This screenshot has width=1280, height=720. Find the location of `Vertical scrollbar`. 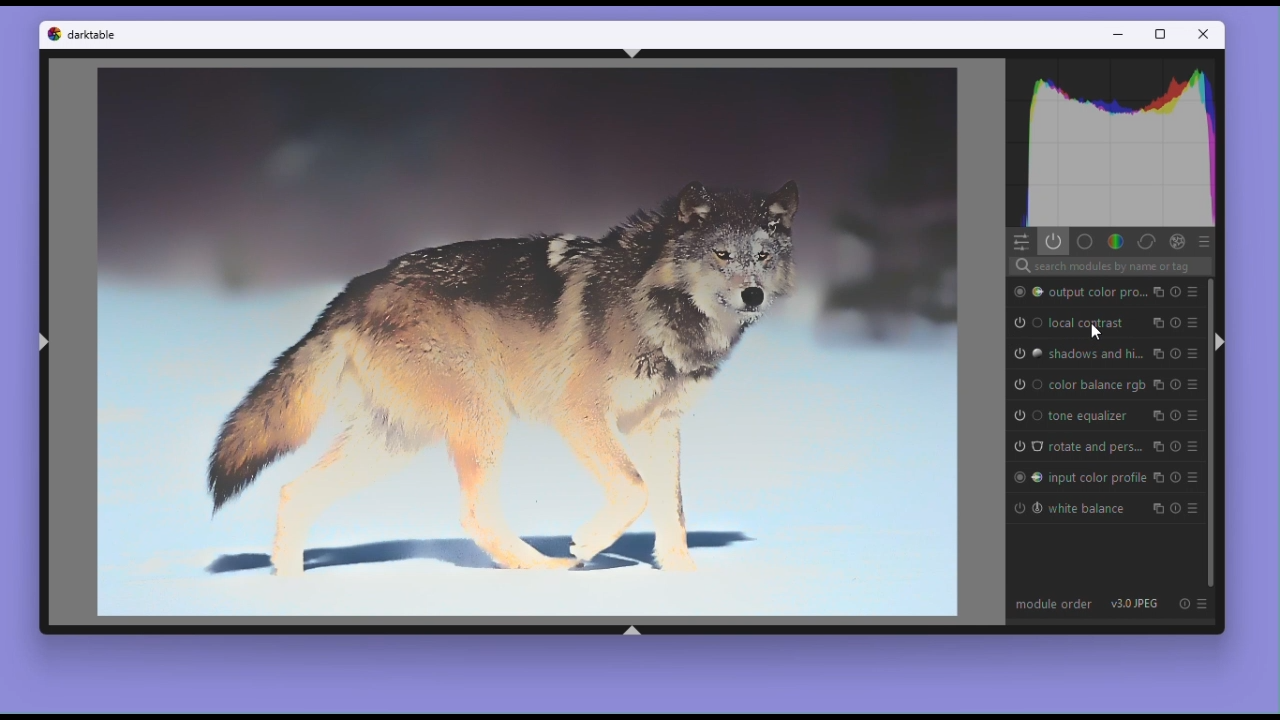

Vertical scrollbar is located at coordinates (1208, 433).